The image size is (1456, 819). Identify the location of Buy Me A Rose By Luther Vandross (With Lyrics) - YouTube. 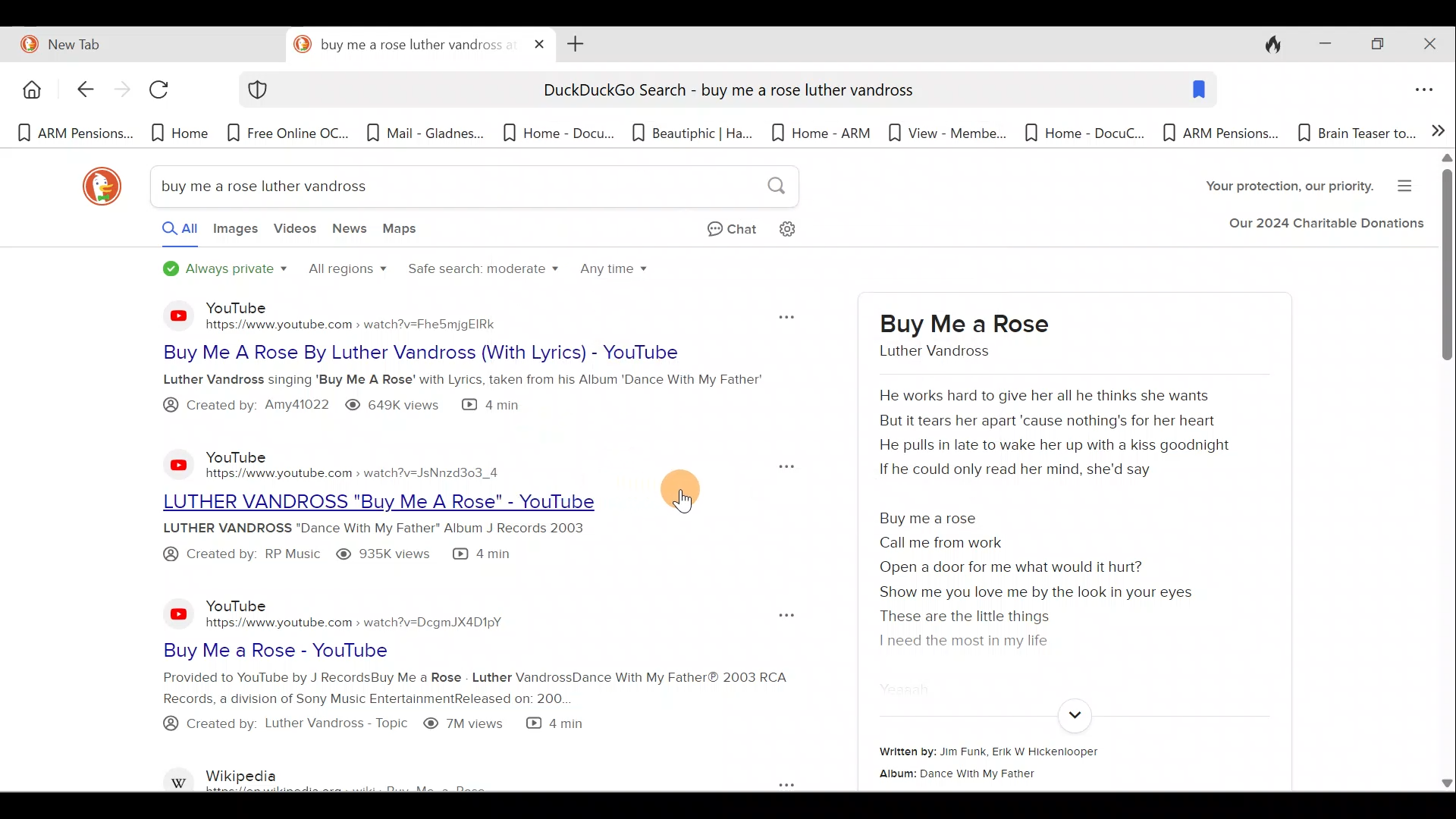
(444, 353).